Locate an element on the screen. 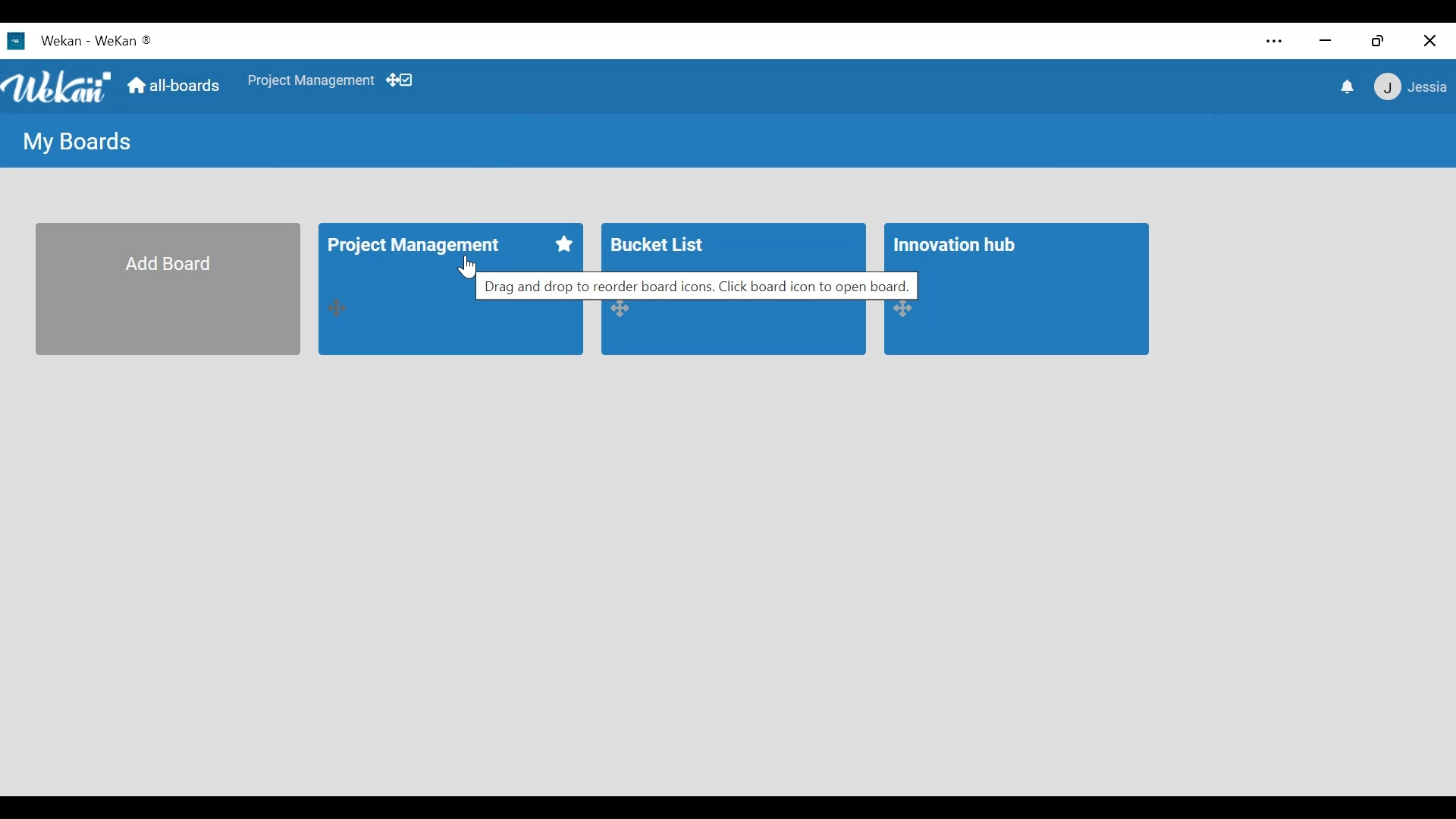 This screenshot has width=1456, height=819. Favorite is located at coordinates (563, 244).